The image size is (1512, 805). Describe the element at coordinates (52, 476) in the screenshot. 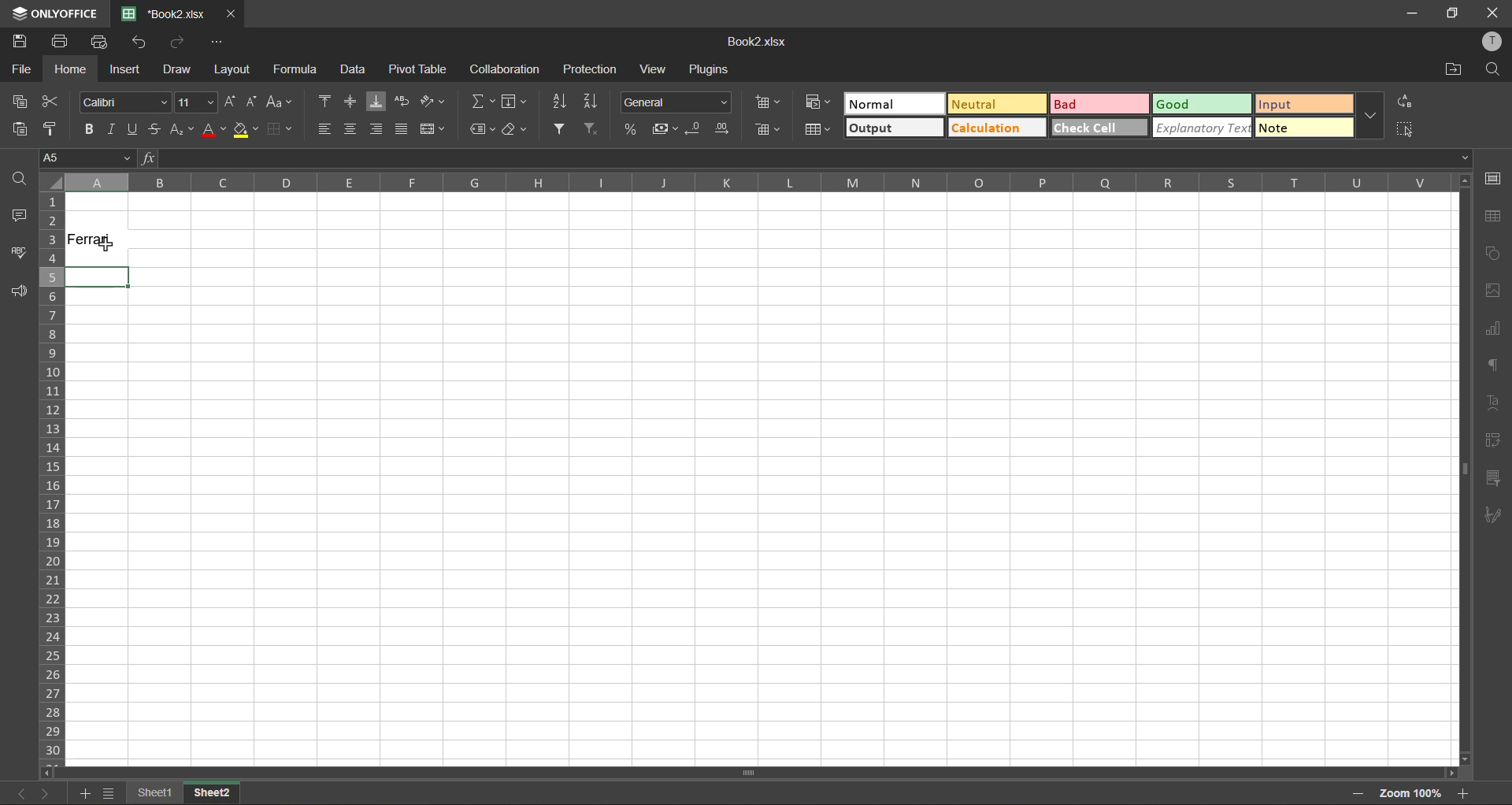

I see `row numbers` at that location.